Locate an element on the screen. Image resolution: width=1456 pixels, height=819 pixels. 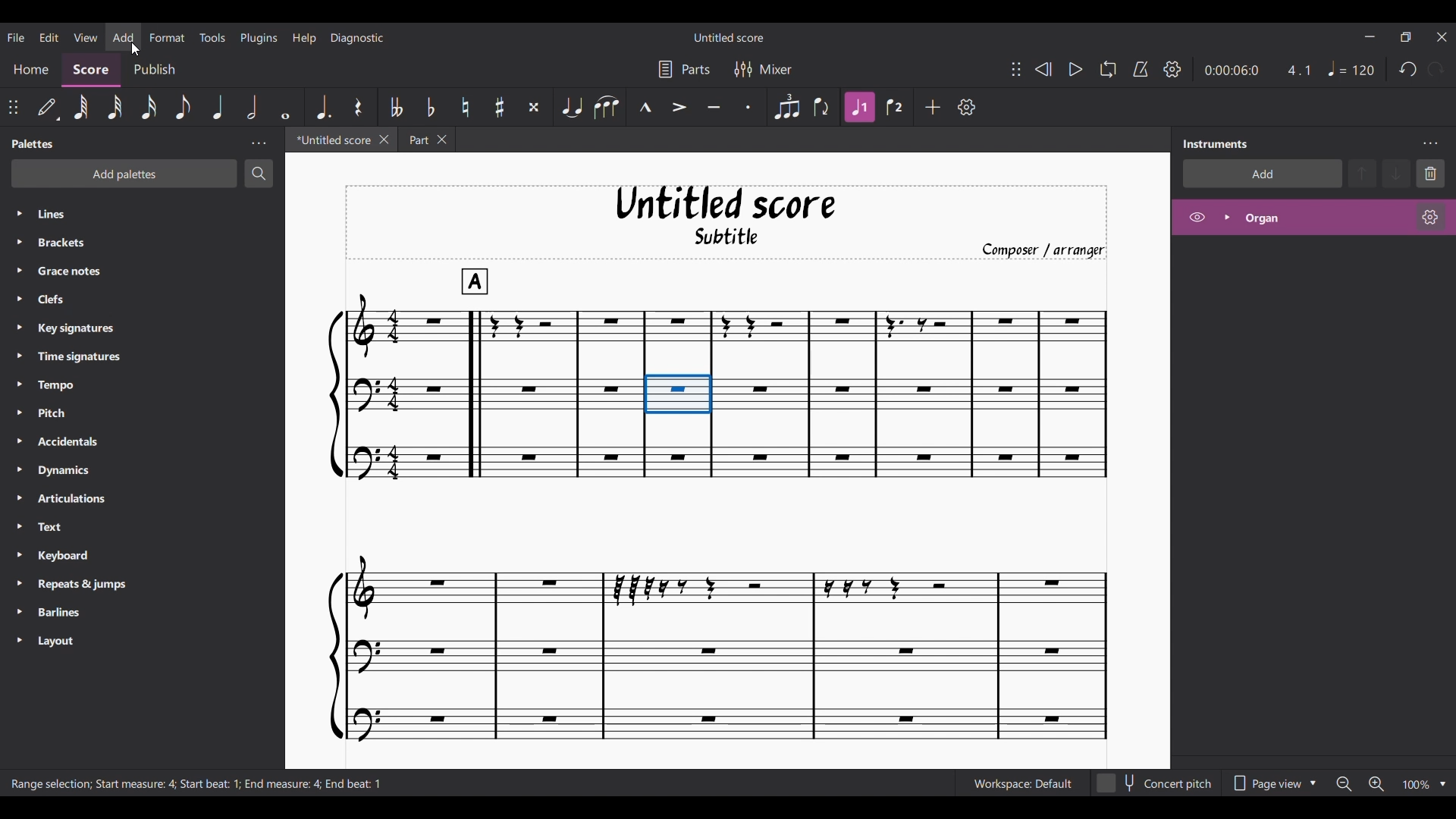
Publish section is located at coordinates (155, 70).